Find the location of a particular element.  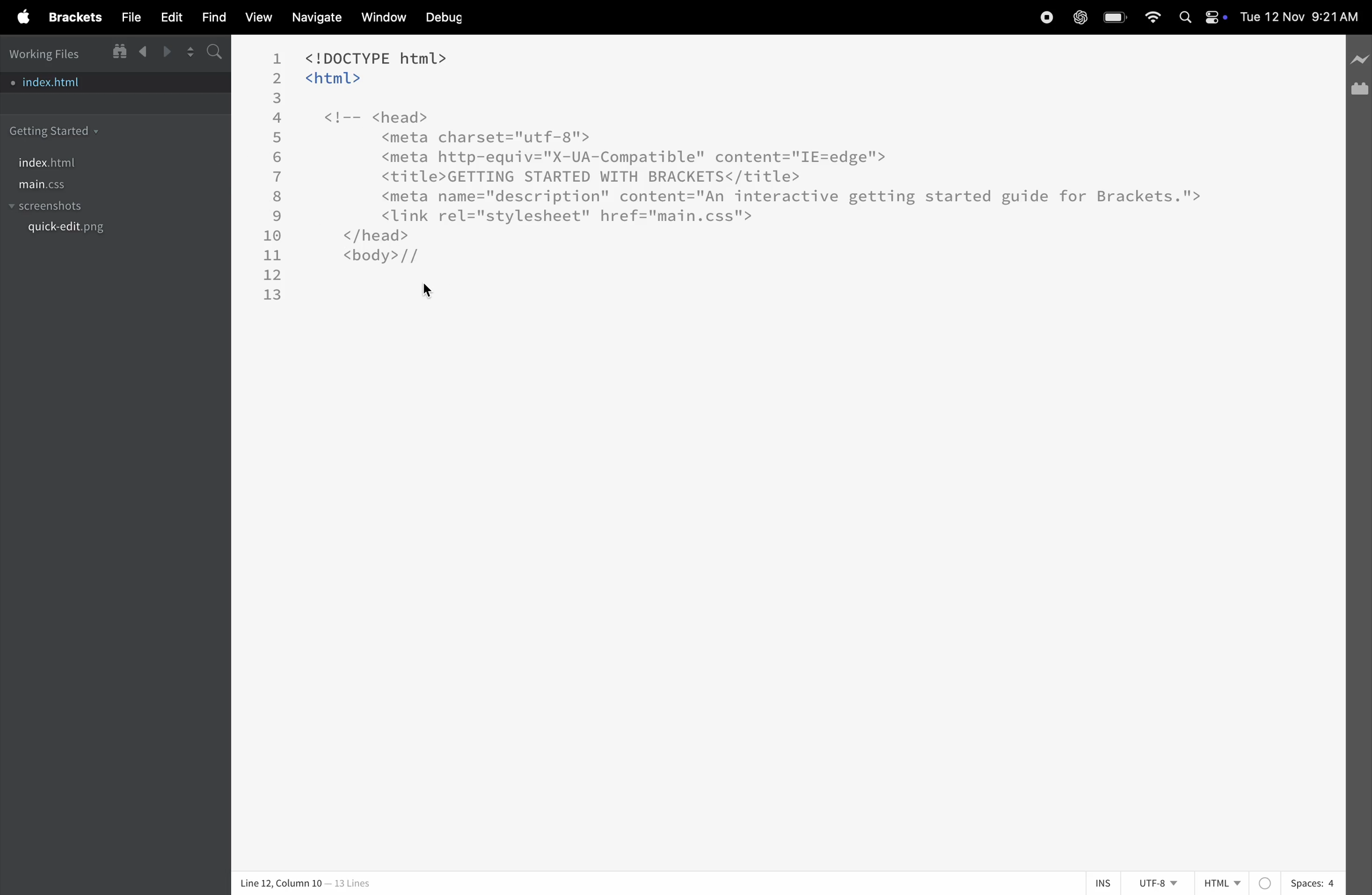

<!DOCTYPE html>
<html>
<!-- <head>
<meta charset="utf-8">
<meta http-equiv="X-UA-Compatible" content="IE=edge'">
<title>GETTING STARTED WITH BRACKETS</title>
<meta name="description" content="An interactive getting started guide for Brackets.'">
<link rel="stylesheet" href="main.css">
</head>
<body>// is located at coordinates (764, 159).